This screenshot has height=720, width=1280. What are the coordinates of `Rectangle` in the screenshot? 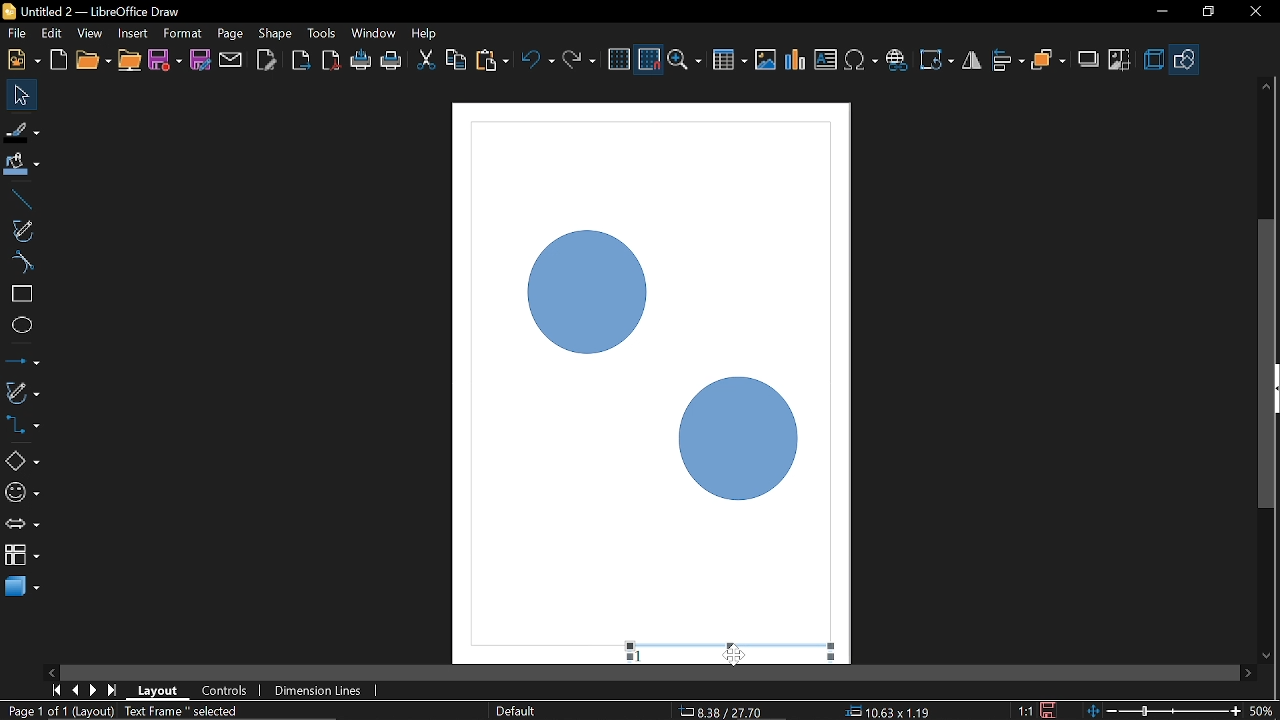 It's located at (21, 294).